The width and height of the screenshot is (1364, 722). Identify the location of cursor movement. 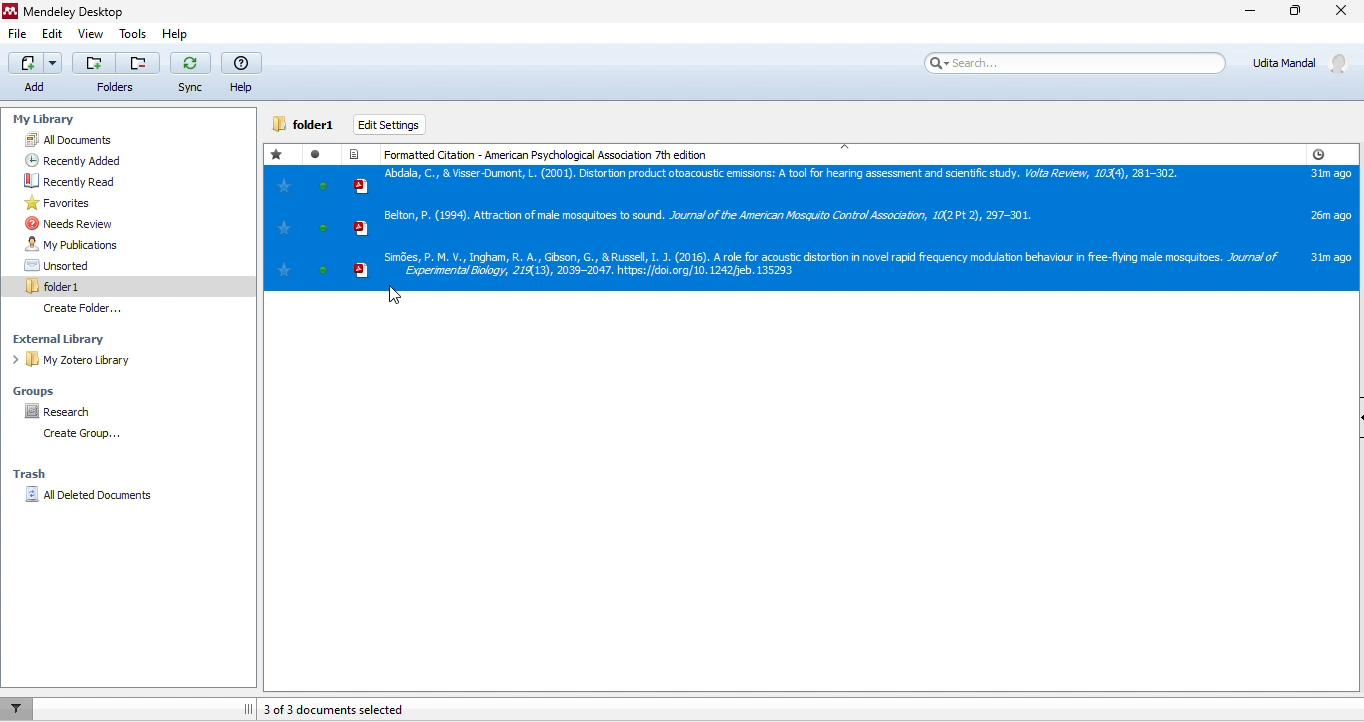
(394, 295).